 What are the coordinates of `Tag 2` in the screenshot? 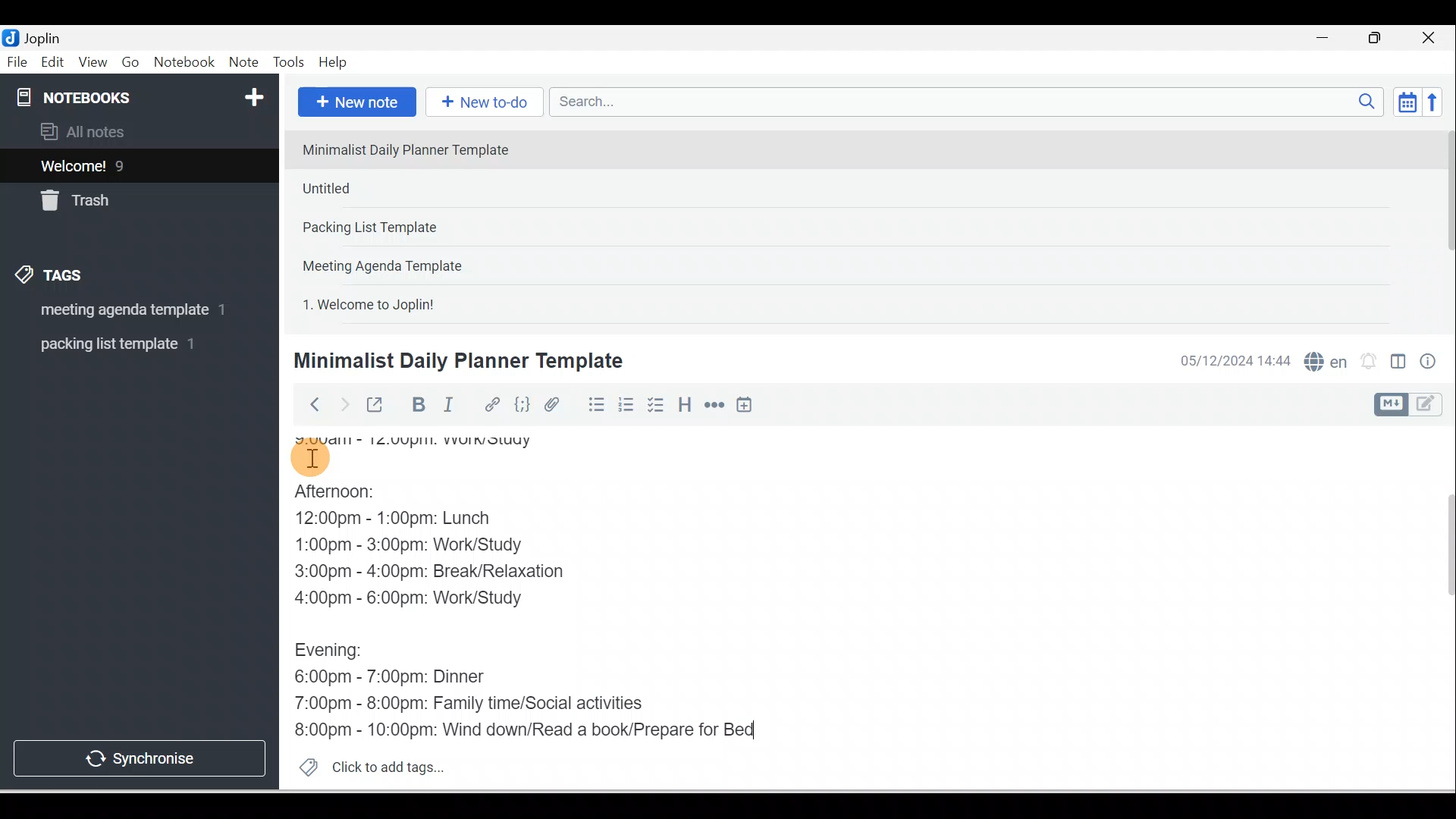 It's located at (128, 344).